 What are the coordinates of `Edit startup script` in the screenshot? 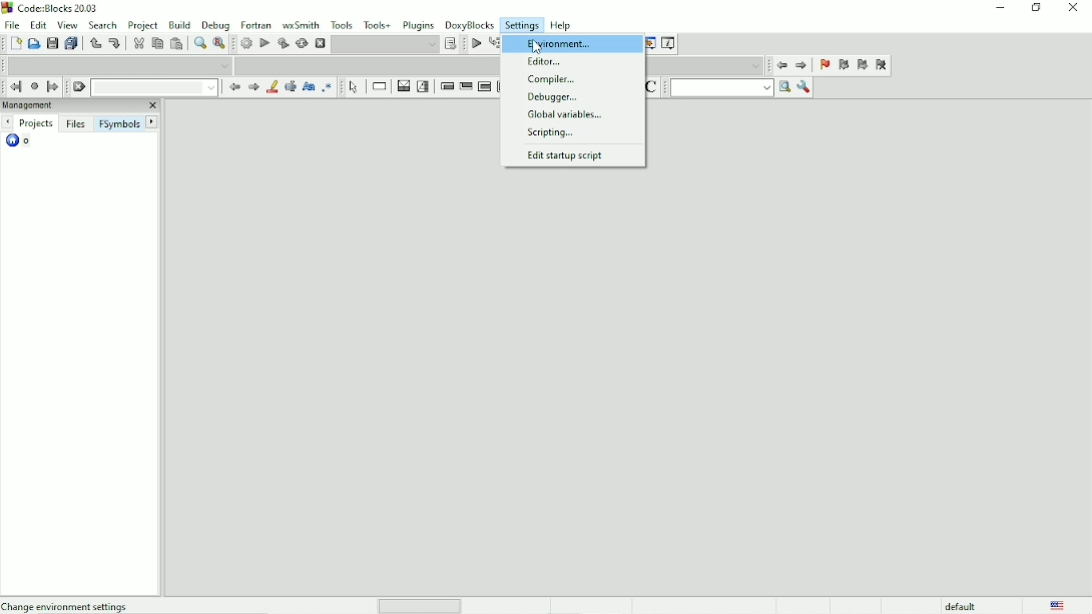 It's located at (570, 157).